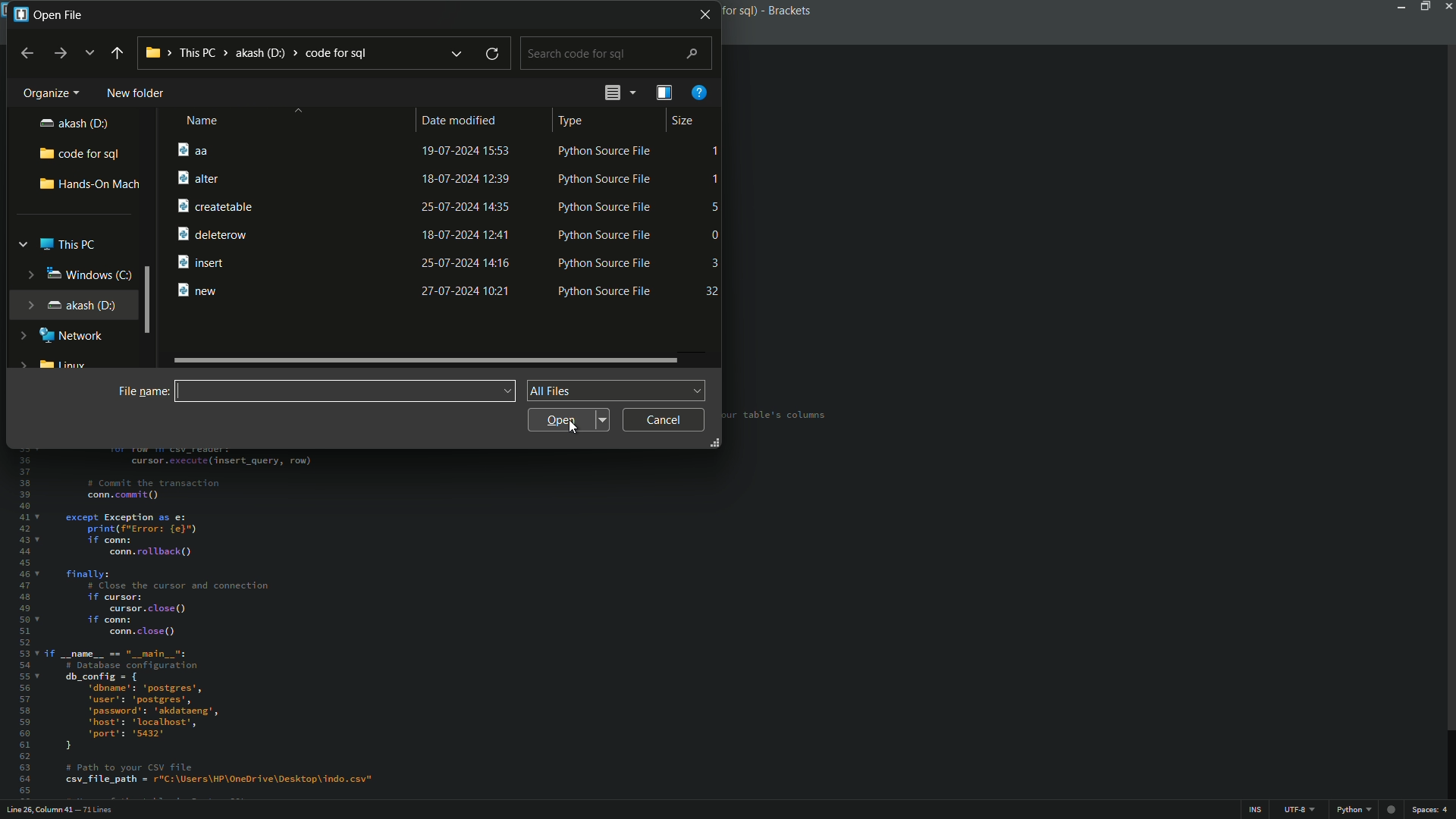 This screenshot has height=819, width=1456. What do you see at coordinates (62, 336) in the screenshot?
I see `network` at bounding box center [62, 336].